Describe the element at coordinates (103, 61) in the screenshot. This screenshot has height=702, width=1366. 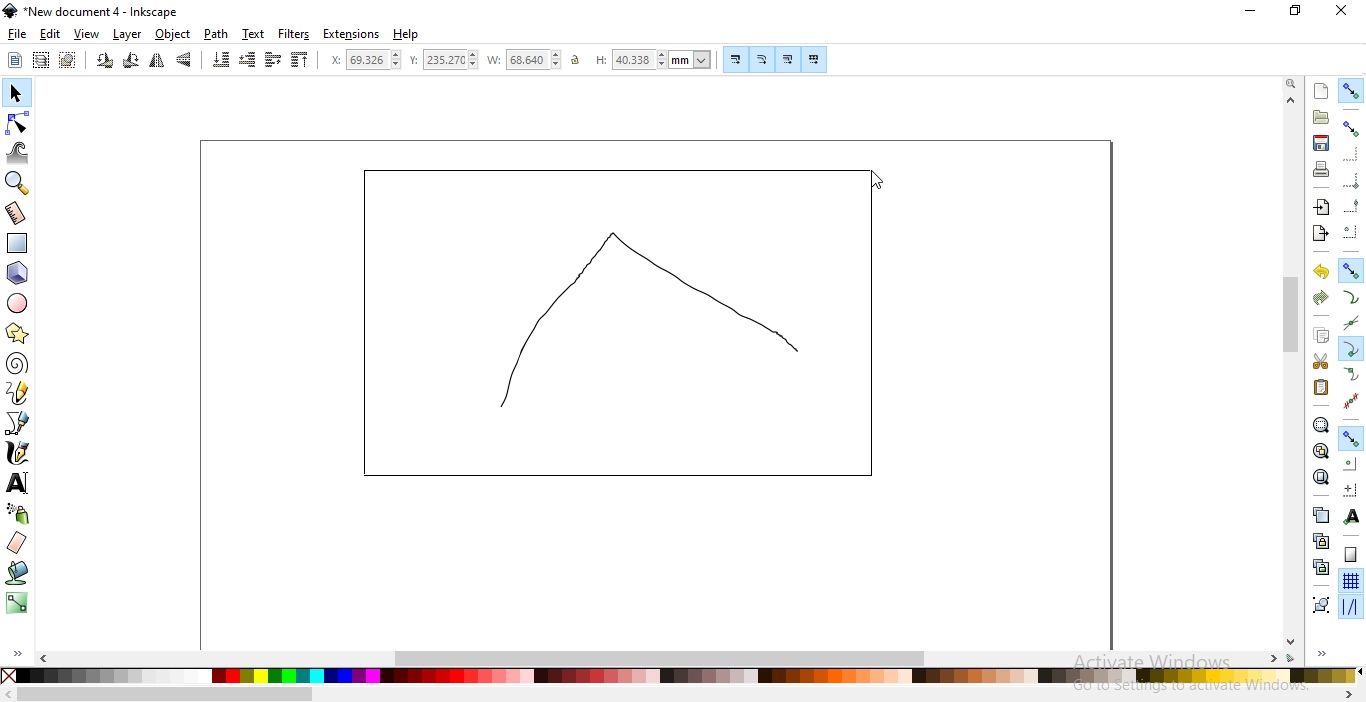
I see `rotate 90 counter clockwise` at that location.